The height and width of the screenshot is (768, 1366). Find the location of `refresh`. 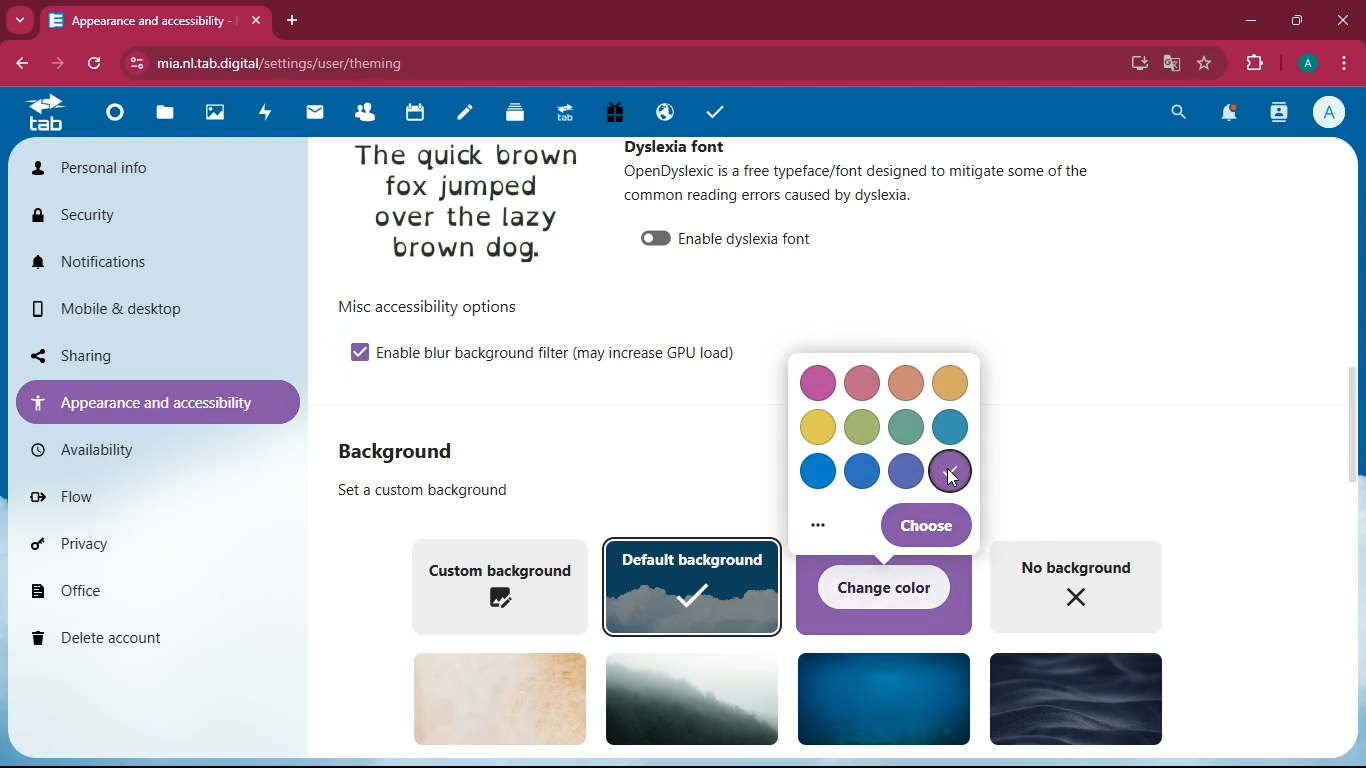

refresh is located at coordinates (96, 64).